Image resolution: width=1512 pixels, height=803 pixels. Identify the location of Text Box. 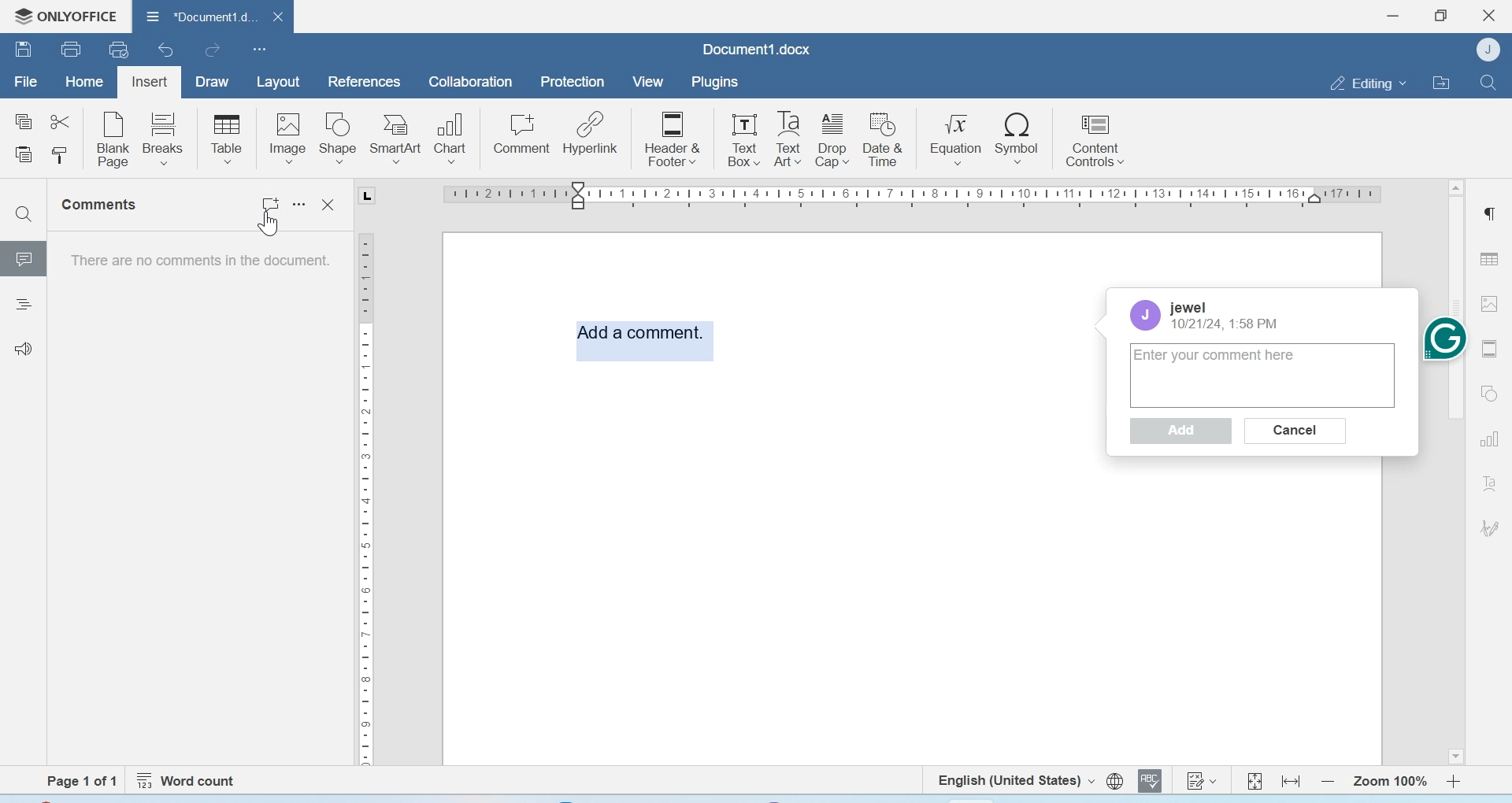
(740, 139).